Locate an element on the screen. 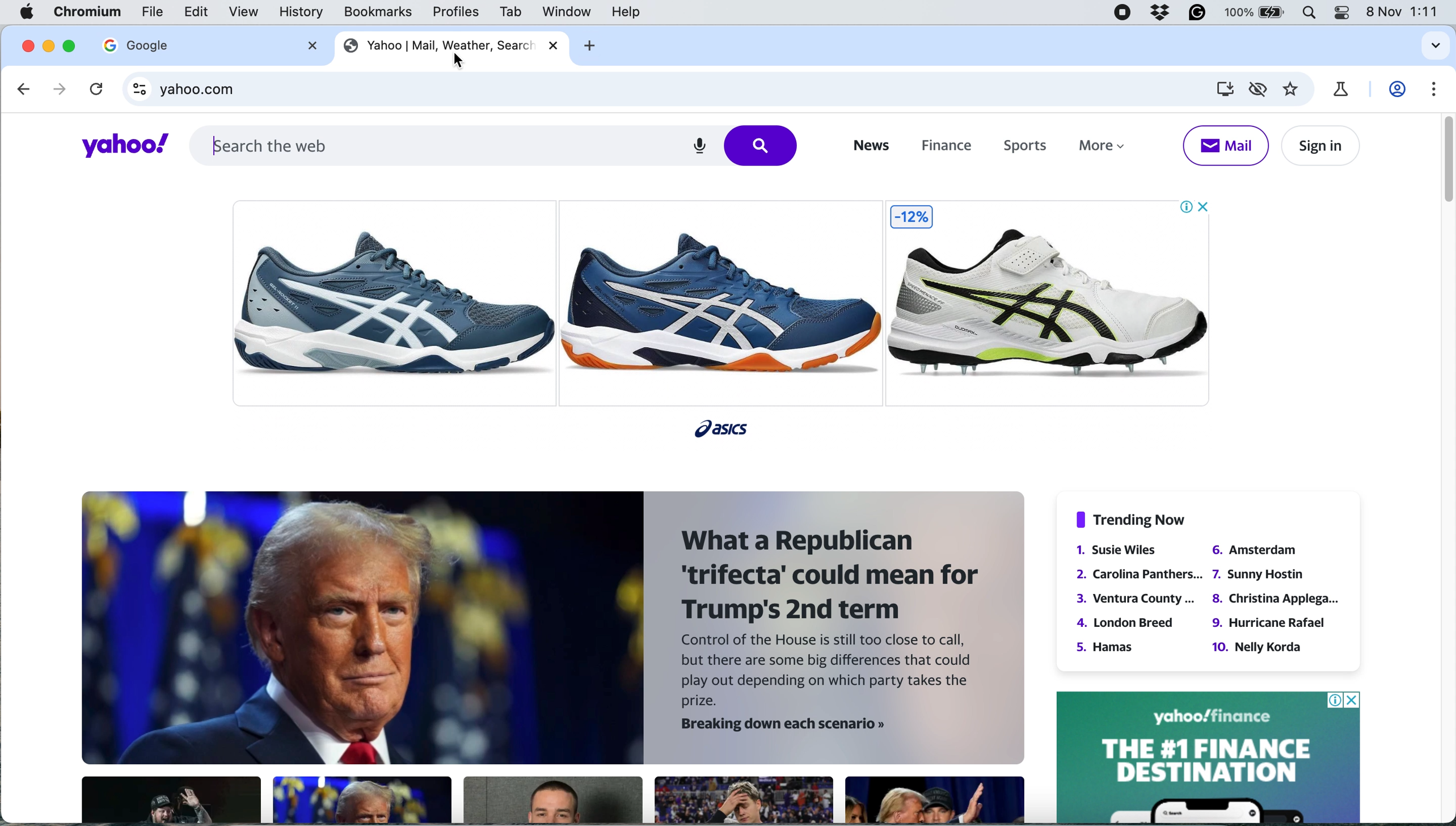 The height and width of the screenshot is (826, 1456). vertical scroll bar is located at coordinates (1442, 160).